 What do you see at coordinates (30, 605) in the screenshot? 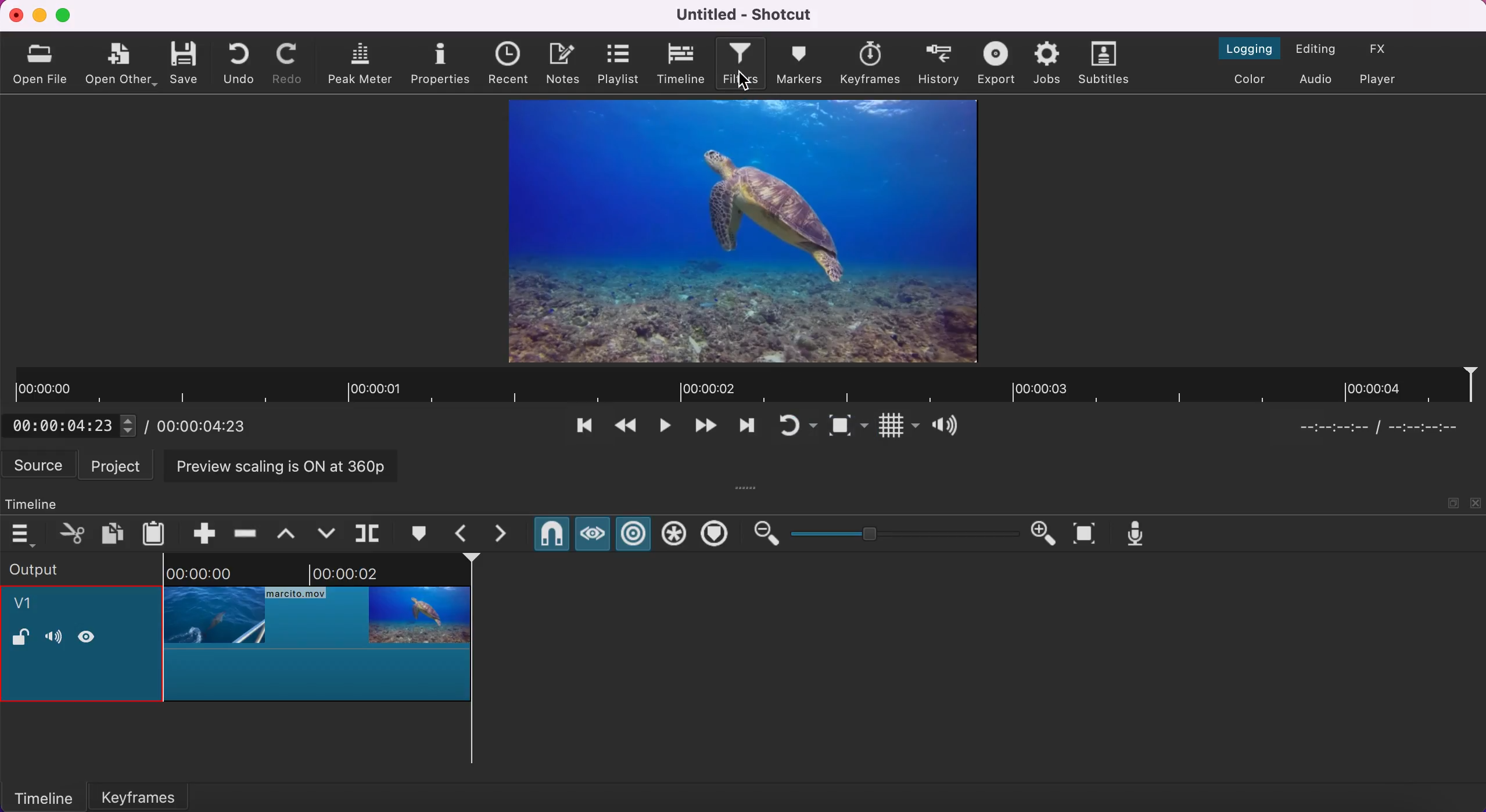
I see `v1` at bounding box center [30, 605].